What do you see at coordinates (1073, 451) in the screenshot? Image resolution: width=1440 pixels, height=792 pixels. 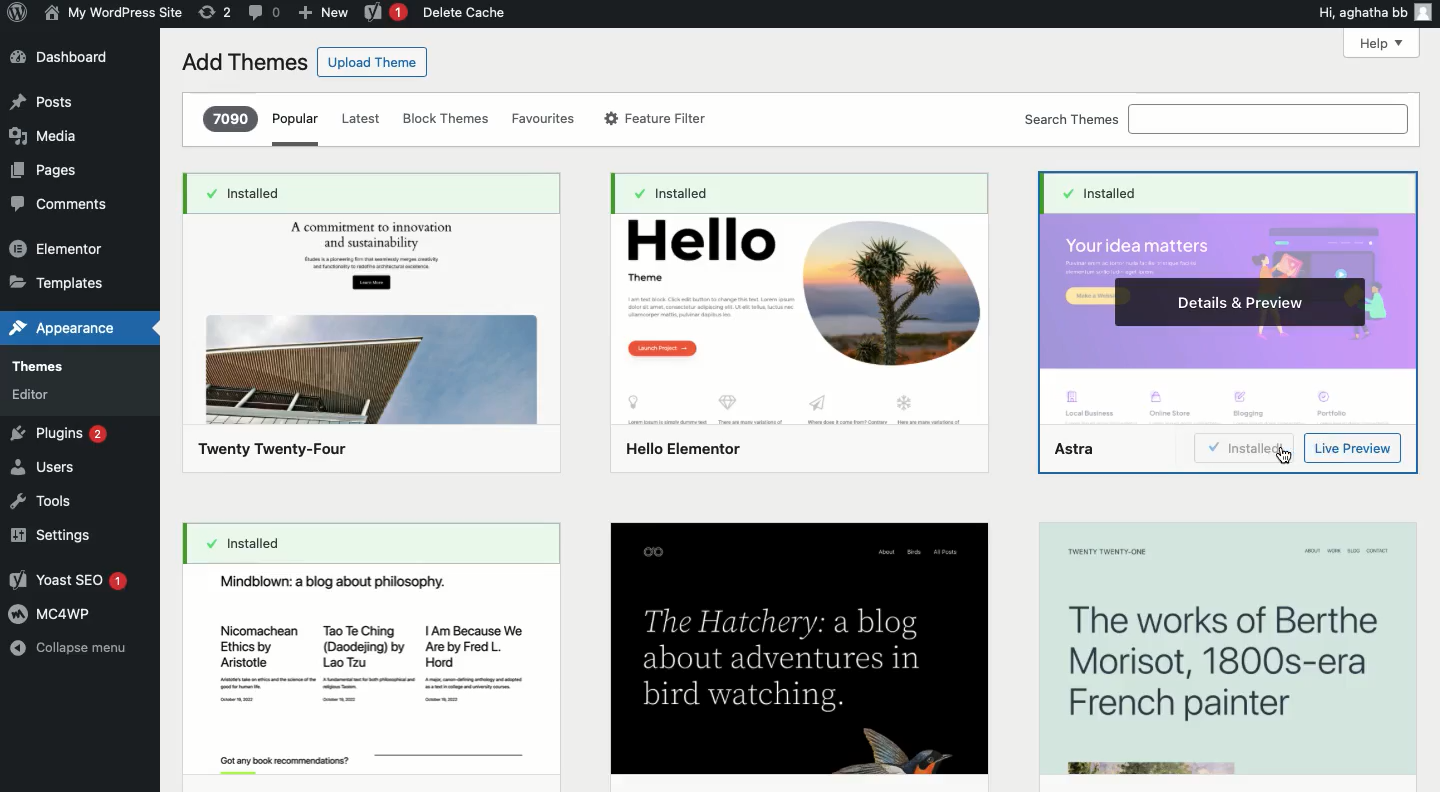 I see `Astra` at bounding box center [1073, 451].